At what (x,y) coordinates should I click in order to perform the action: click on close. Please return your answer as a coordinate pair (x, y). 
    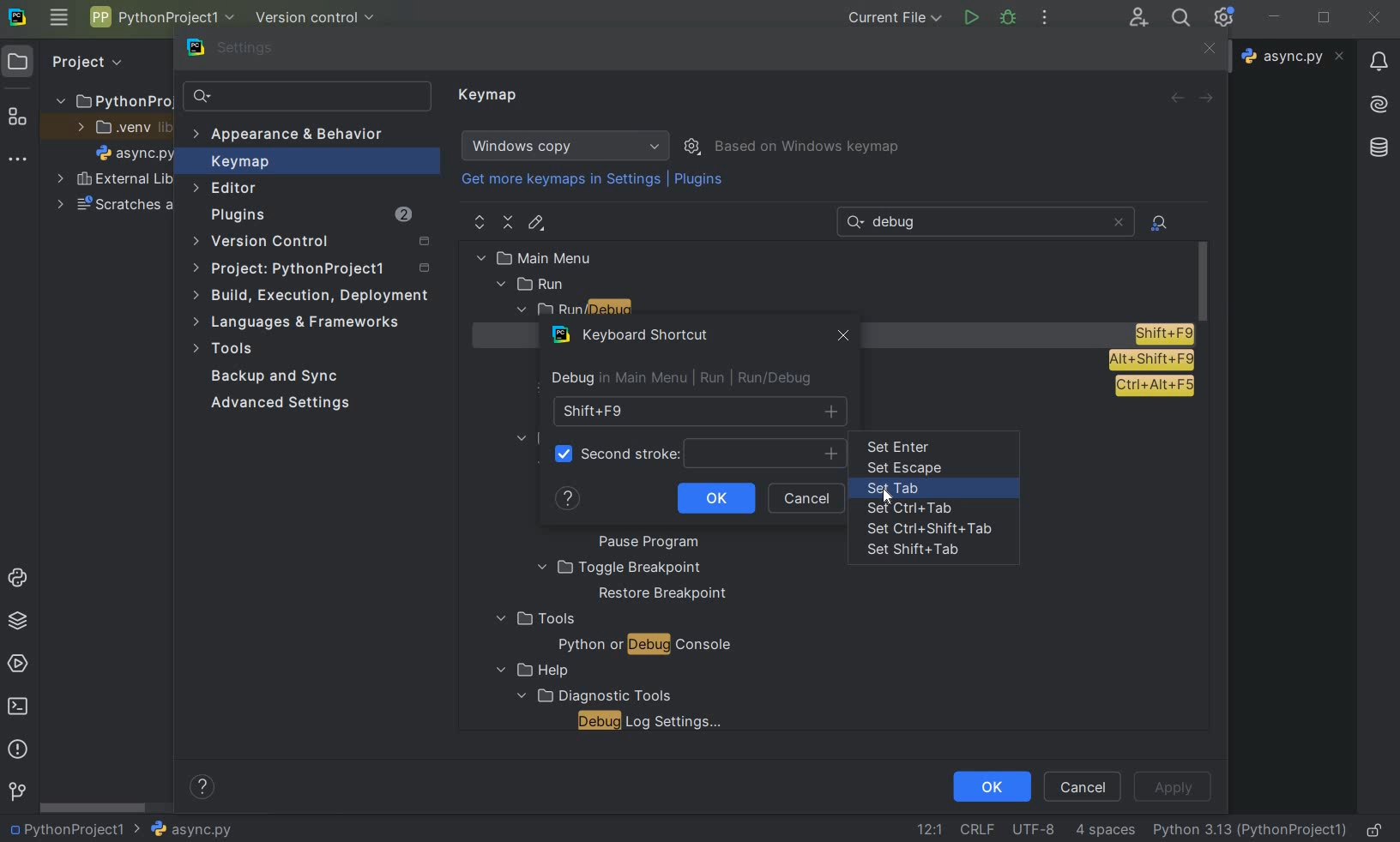
    Looking at the image, I should click on (1207, 50).